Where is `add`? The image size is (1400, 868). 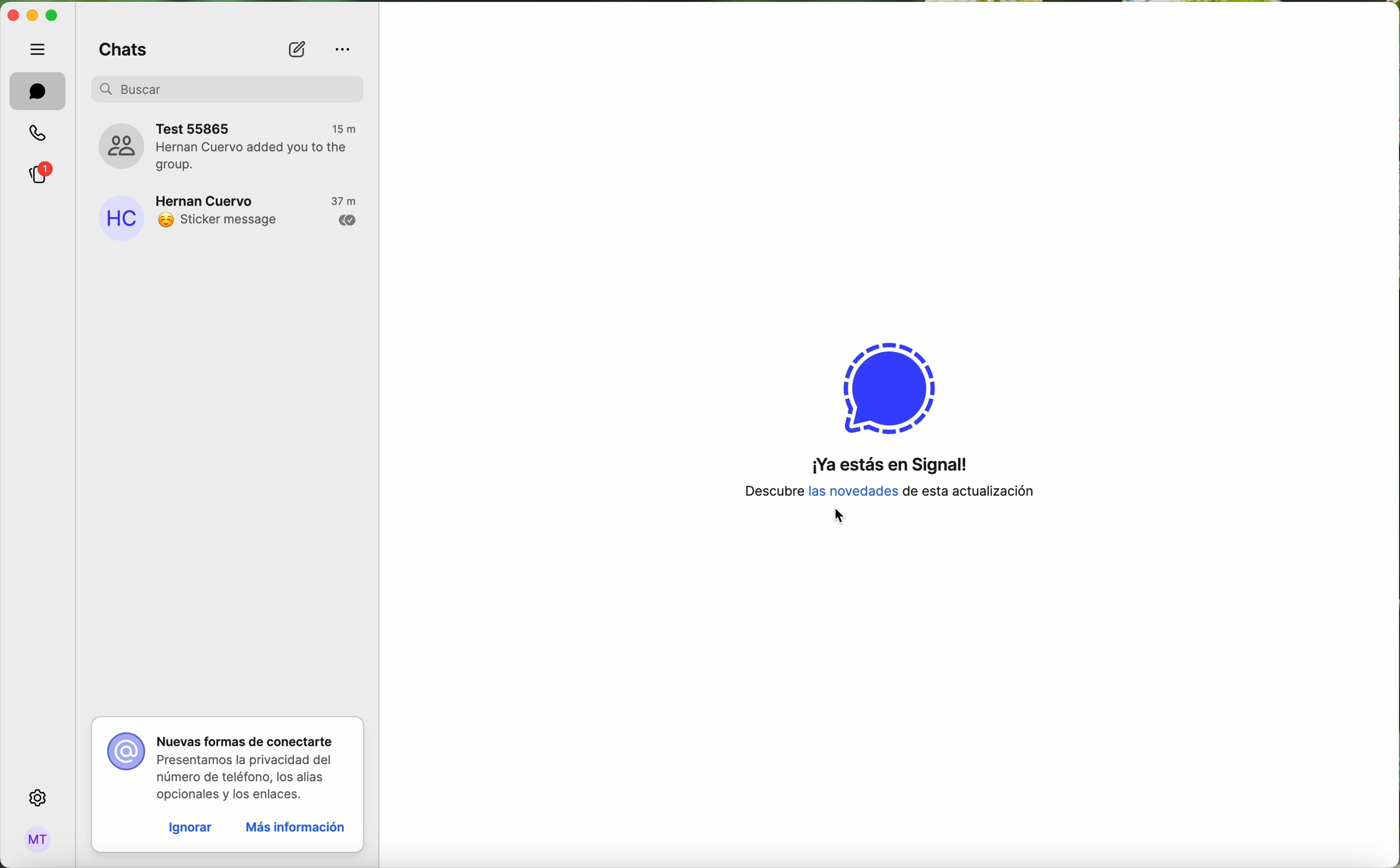
add is located at coordinates (298, 51).